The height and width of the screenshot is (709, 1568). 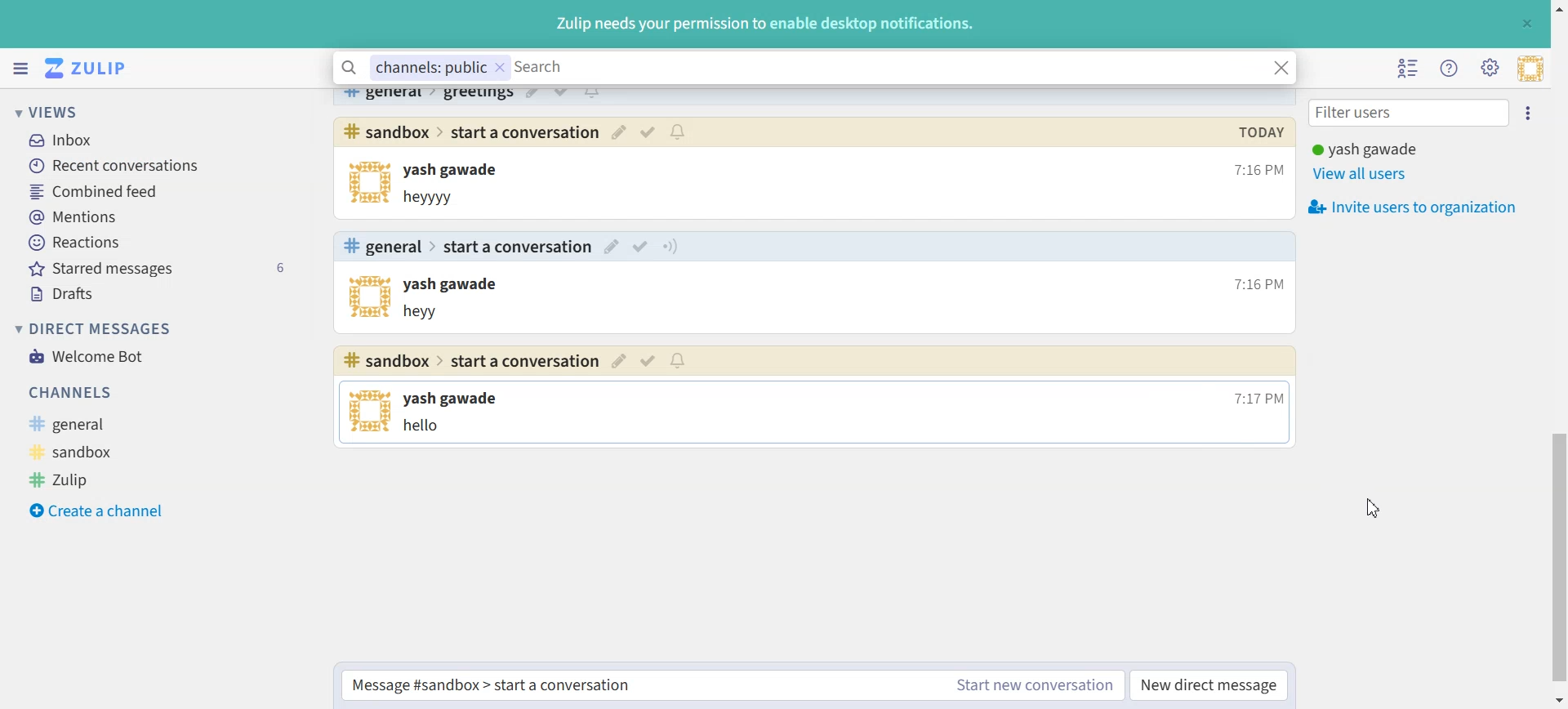 I want to click on yash gawade, so click(x=1365, y=149).